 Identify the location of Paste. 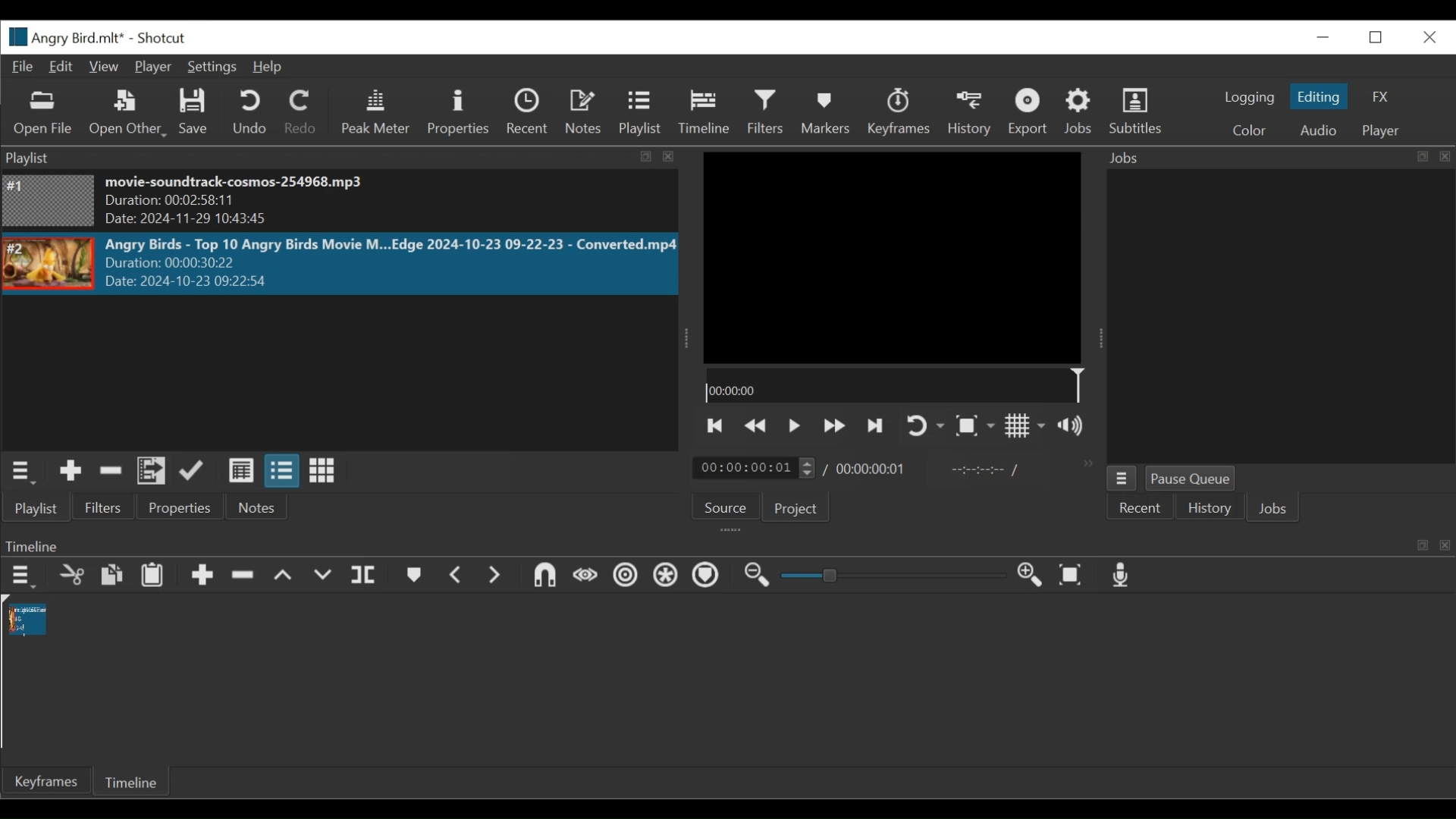
(153, 575).